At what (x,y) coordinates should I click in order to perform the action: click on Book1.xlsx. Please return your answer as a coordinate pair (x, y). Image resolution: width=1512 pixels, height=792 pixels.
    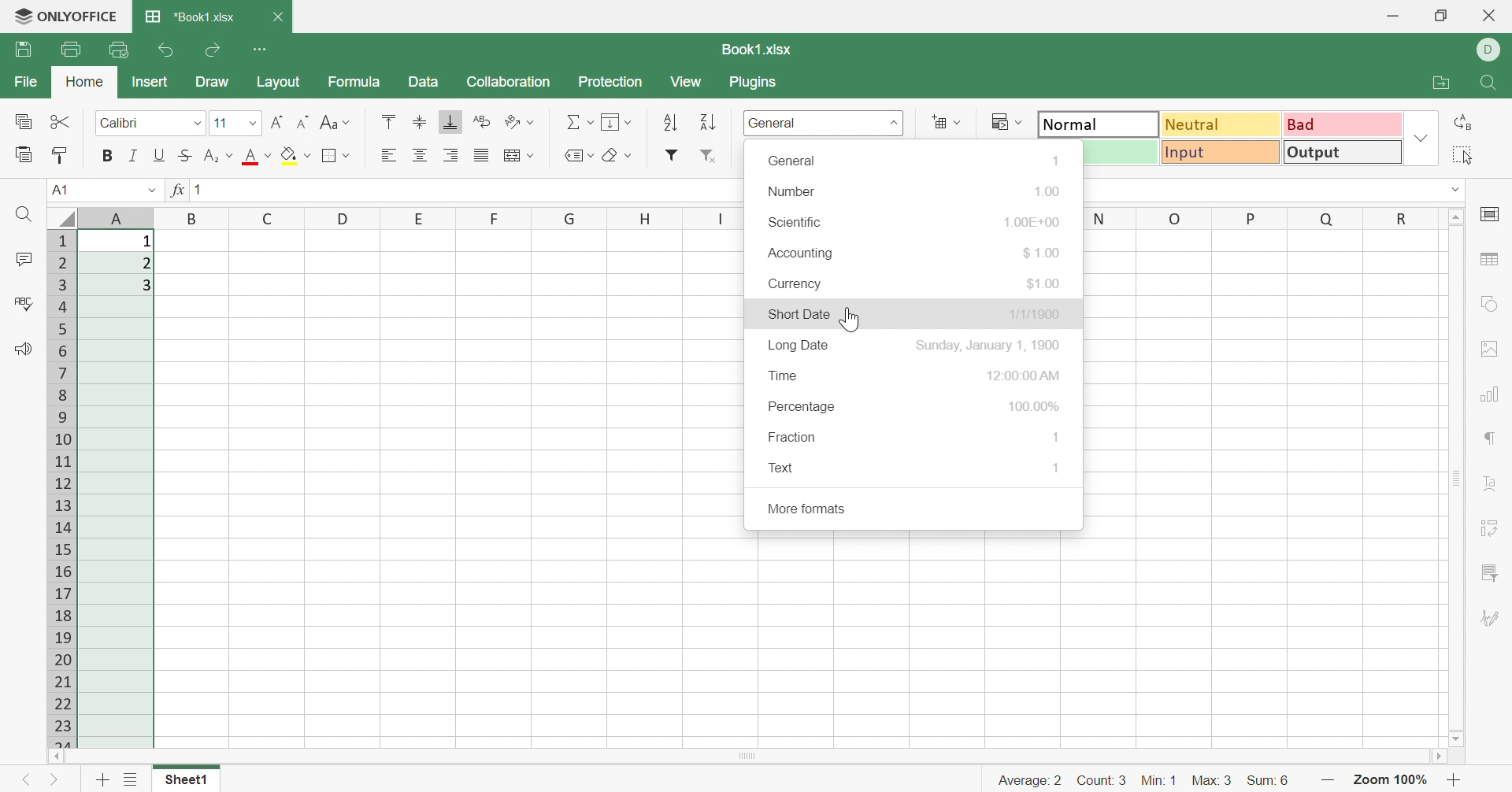
    Looking at the image, I should click on (758, 48).